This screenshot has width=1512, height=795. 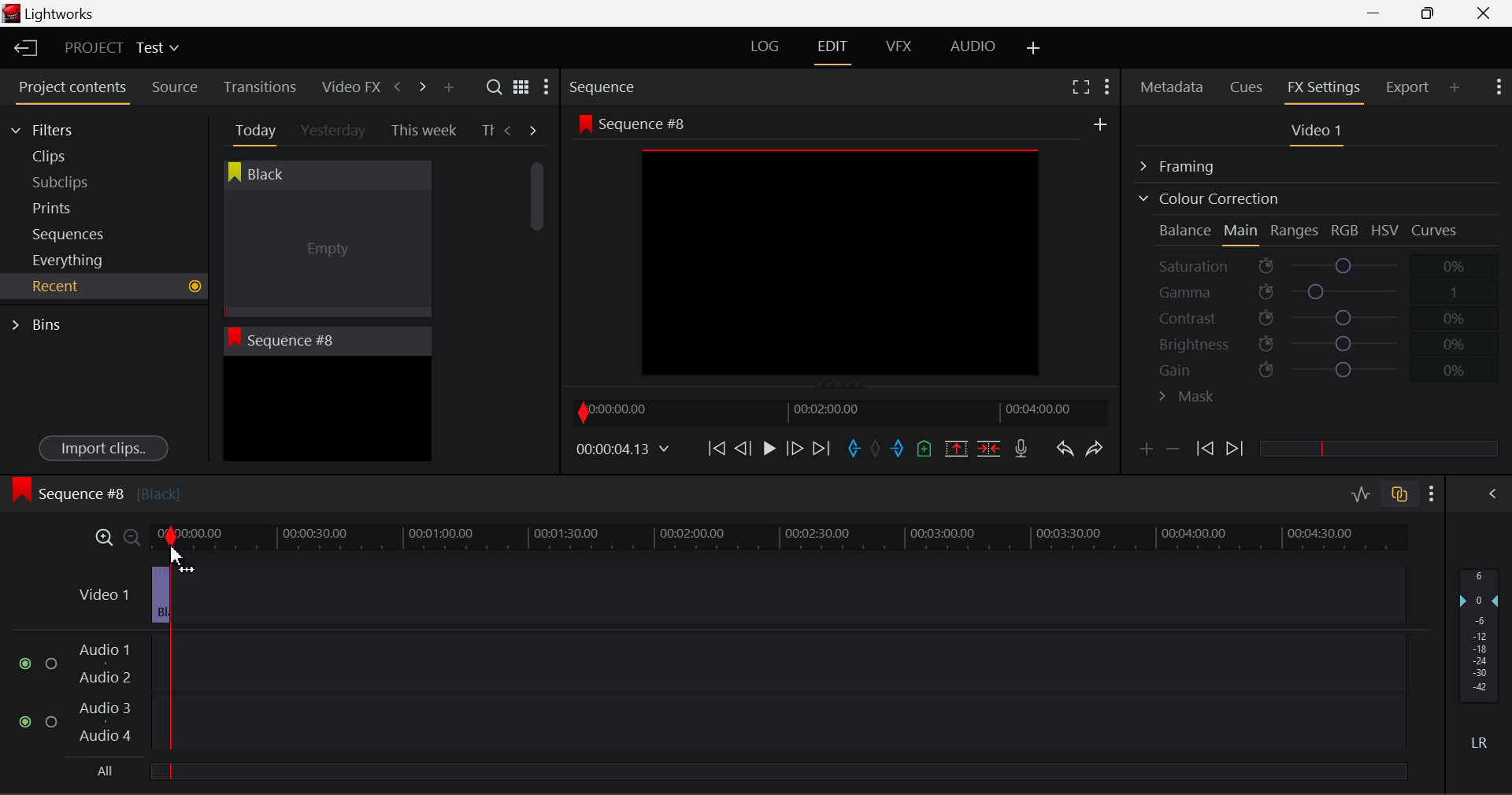 I want to click on Main Tab Open, so click(x=1242, y=232).